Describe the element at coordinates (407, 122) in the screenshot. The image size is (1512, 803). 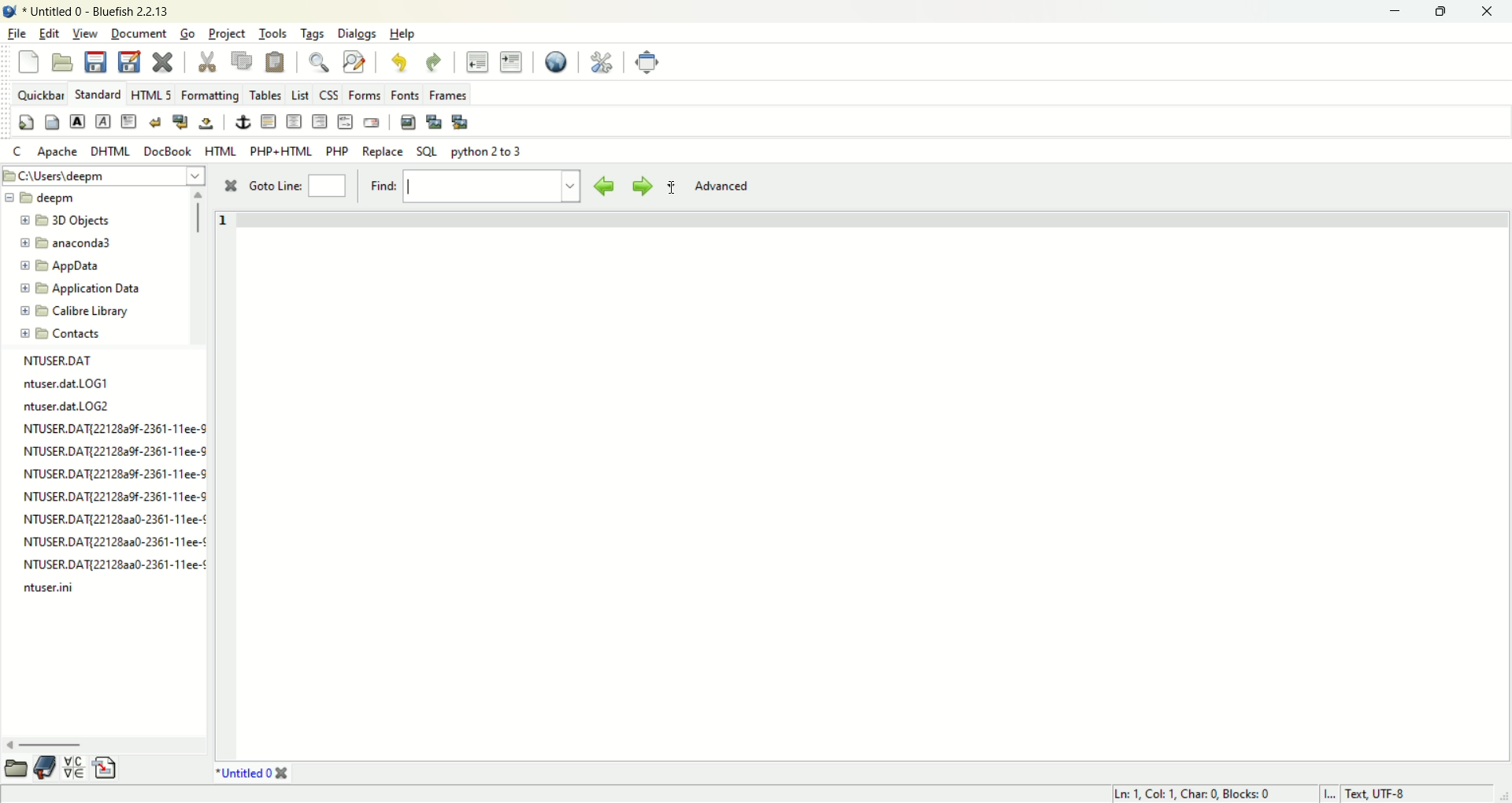
I see `insert image` at that location.